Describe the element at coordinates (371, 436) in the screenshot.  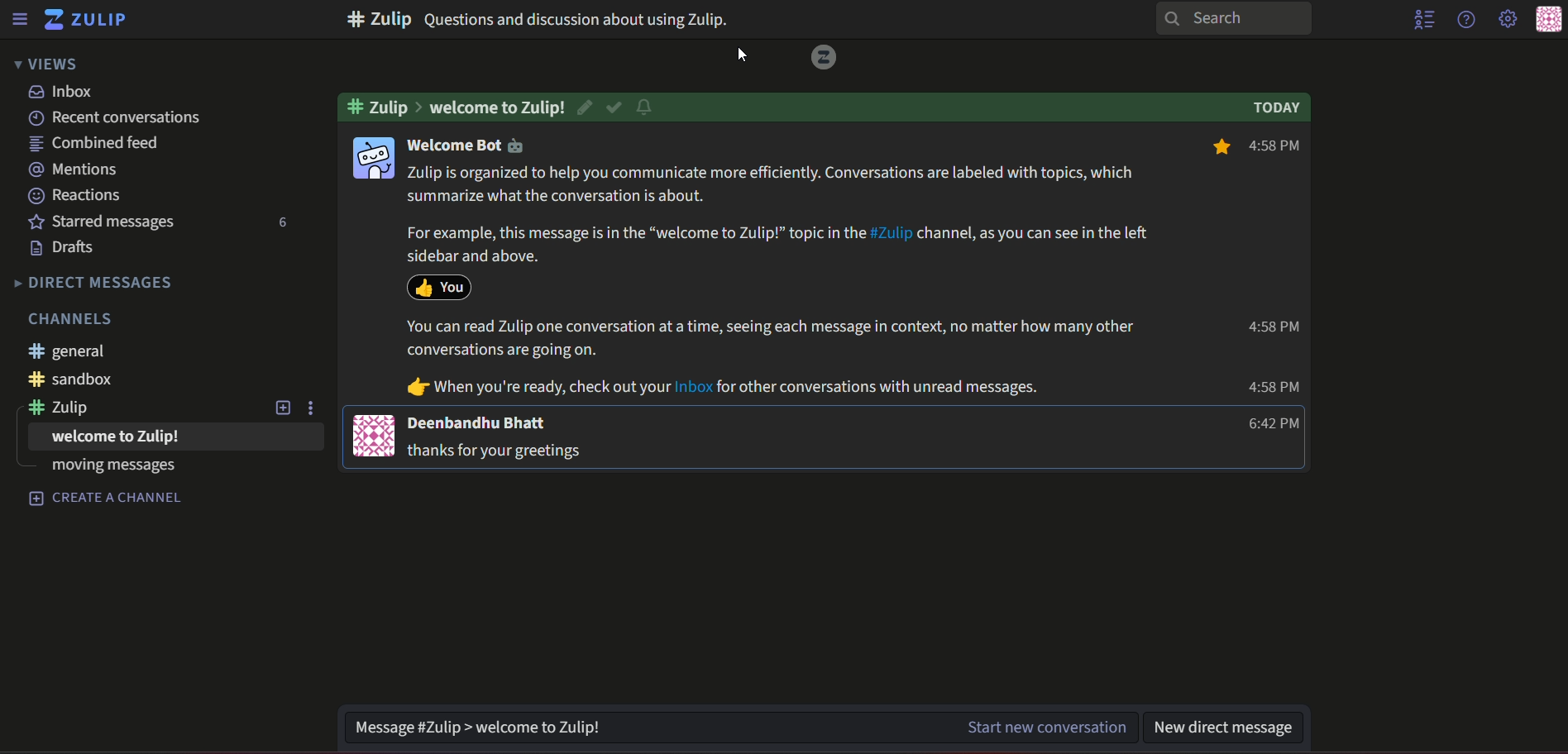
I see `icon` at that location.